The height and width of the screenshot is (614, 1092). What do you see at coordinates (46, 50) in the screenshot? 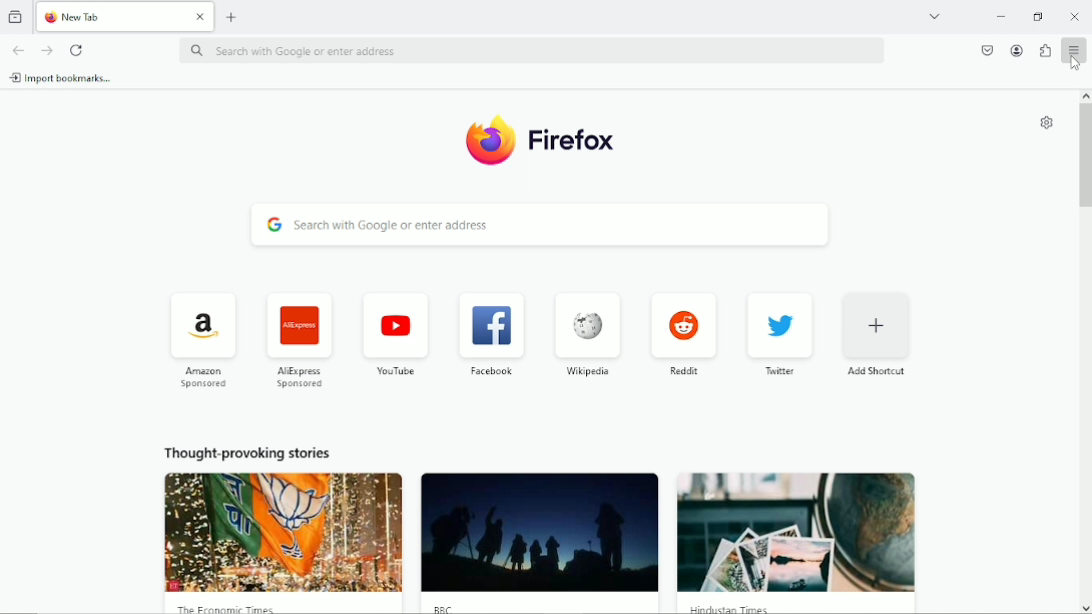
I see `Go forward` at bounding box center [46, 50].